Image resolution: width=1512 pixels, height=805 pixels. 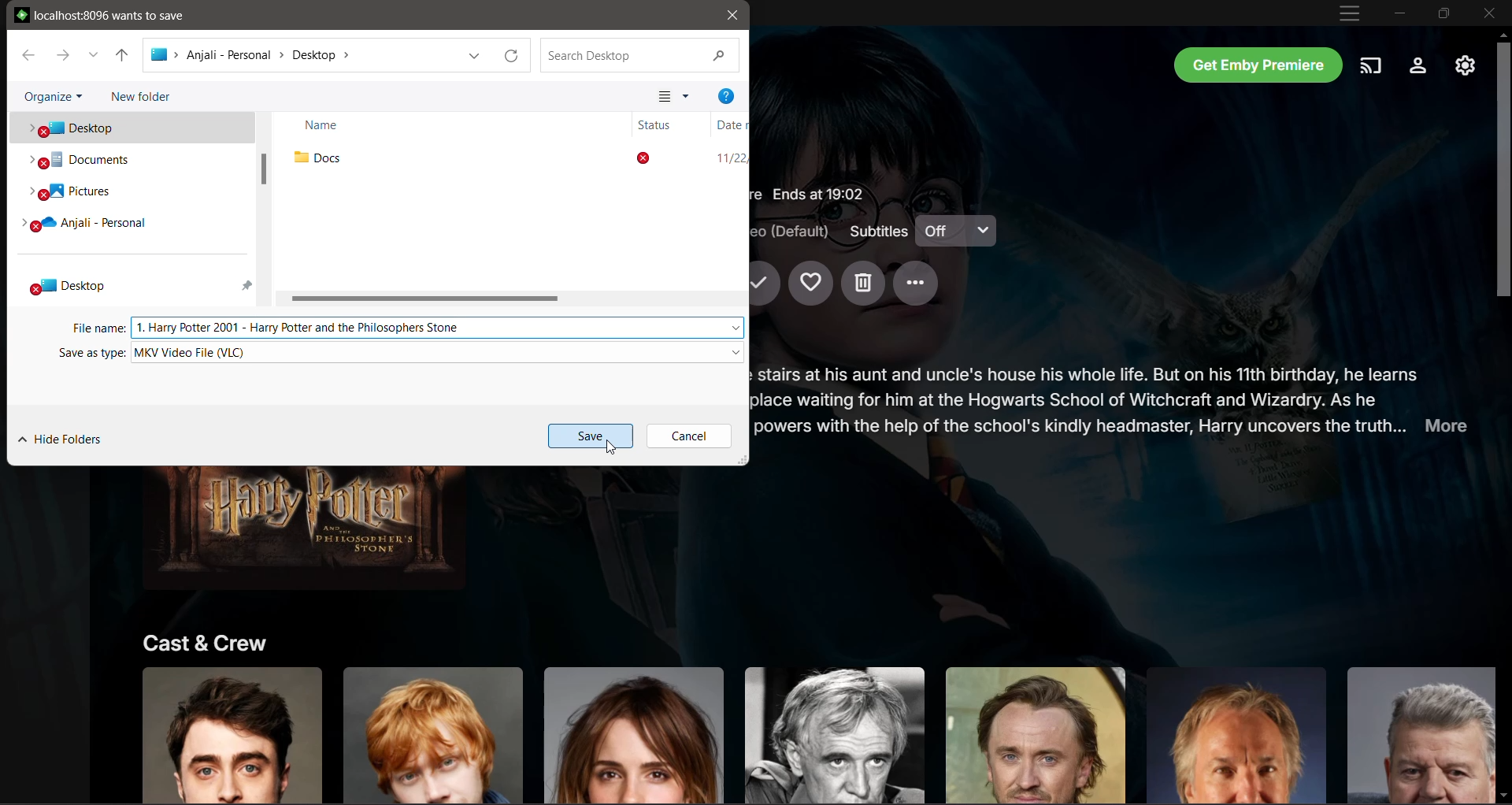 I want to click on Organize, so click(x=54, y=95).